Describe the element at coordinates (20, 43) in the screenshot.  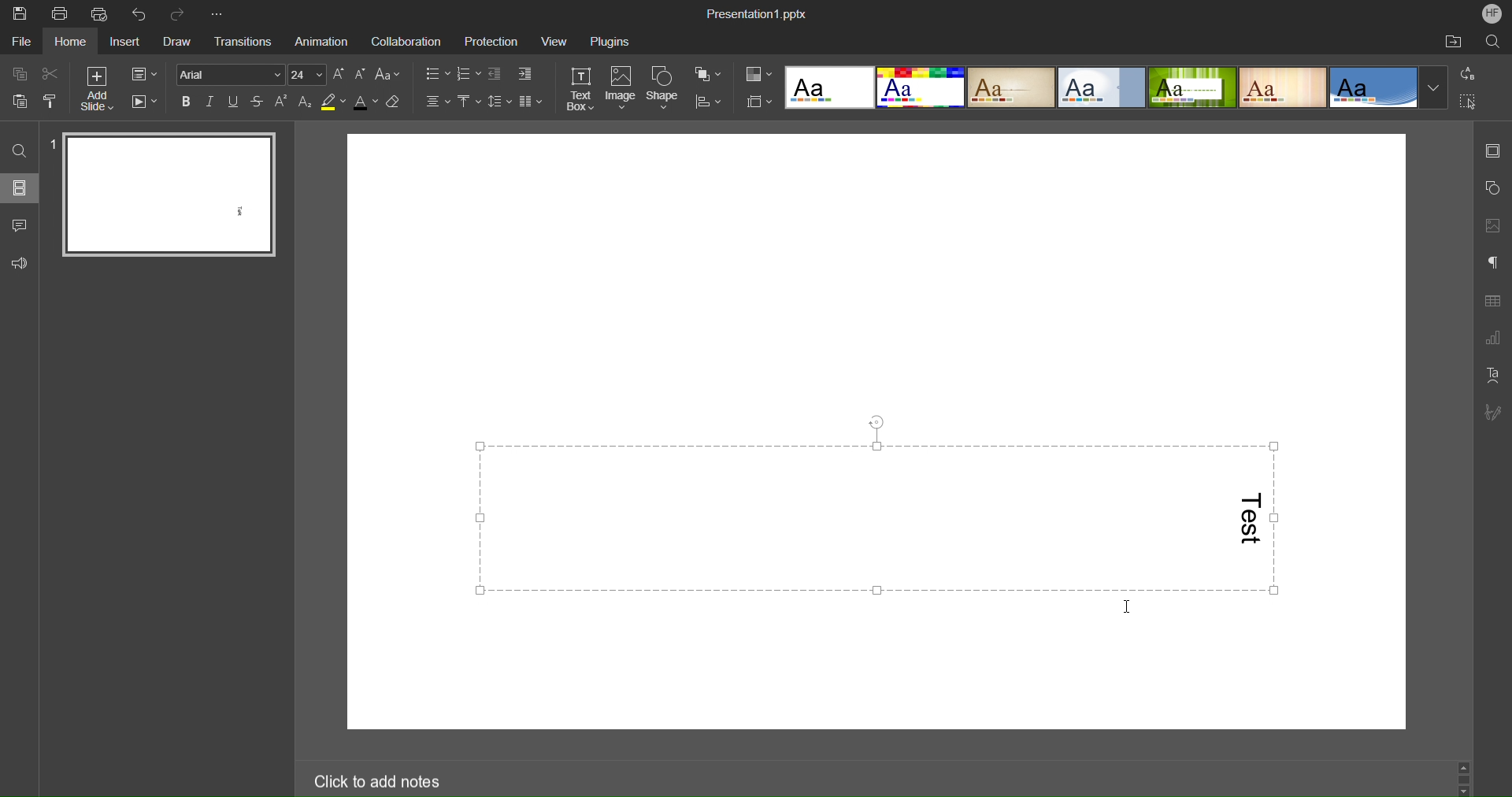
I see `File` at that location.